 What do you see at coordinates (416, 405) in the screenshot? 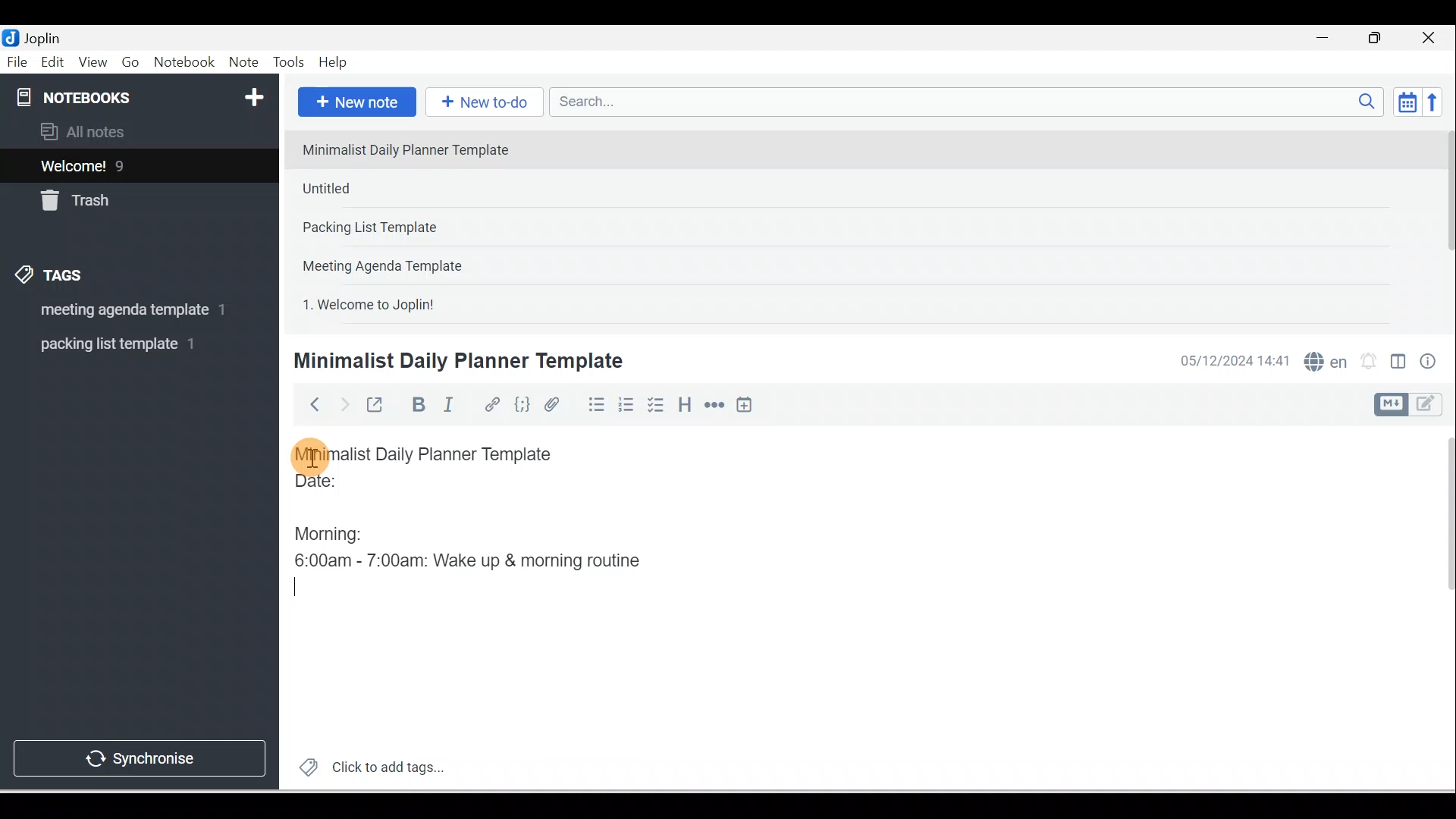
I see `Bold` at bounding box center [416, 405].